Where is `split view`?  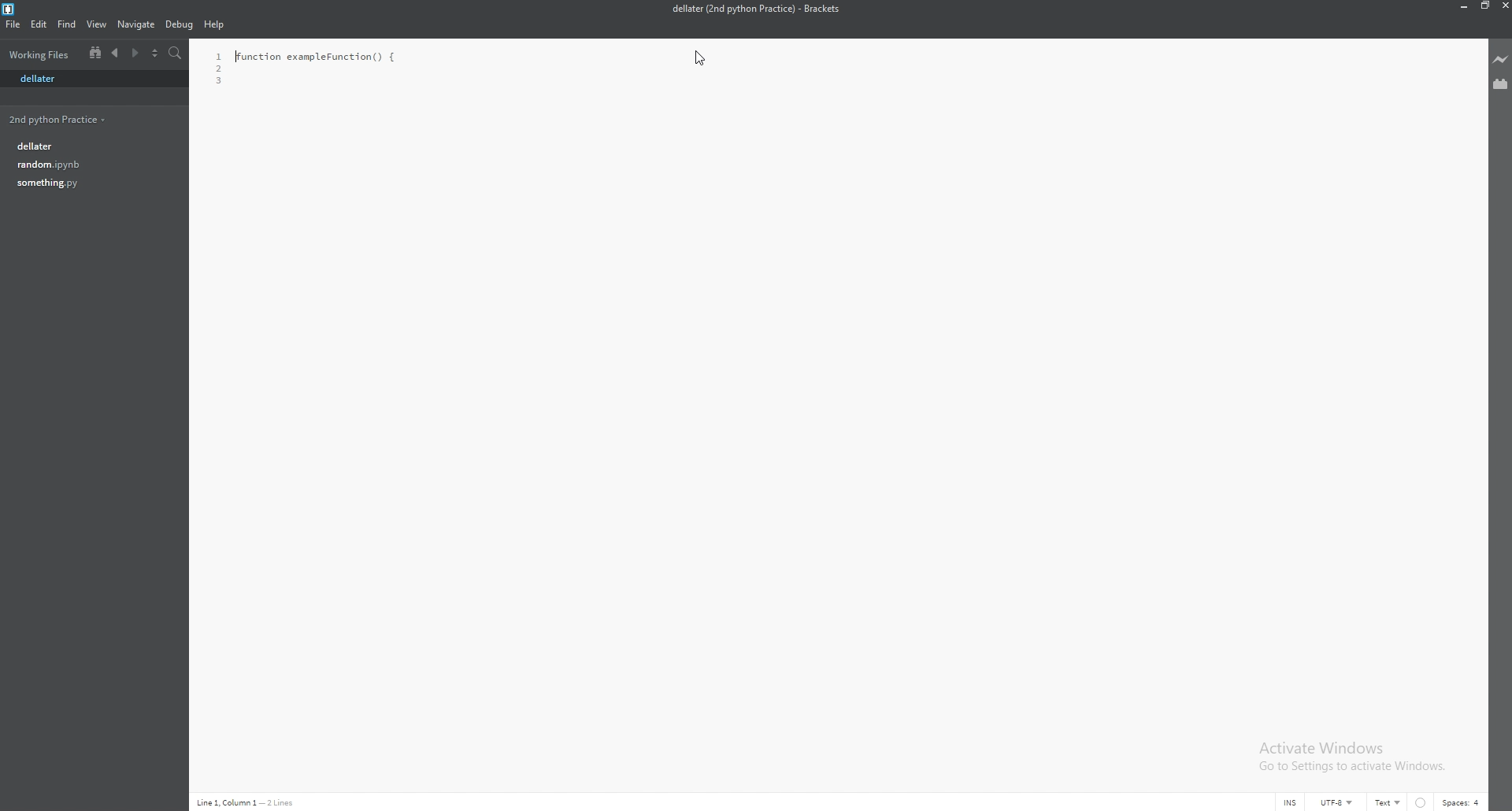 split view is located at coordinates (94, 54).